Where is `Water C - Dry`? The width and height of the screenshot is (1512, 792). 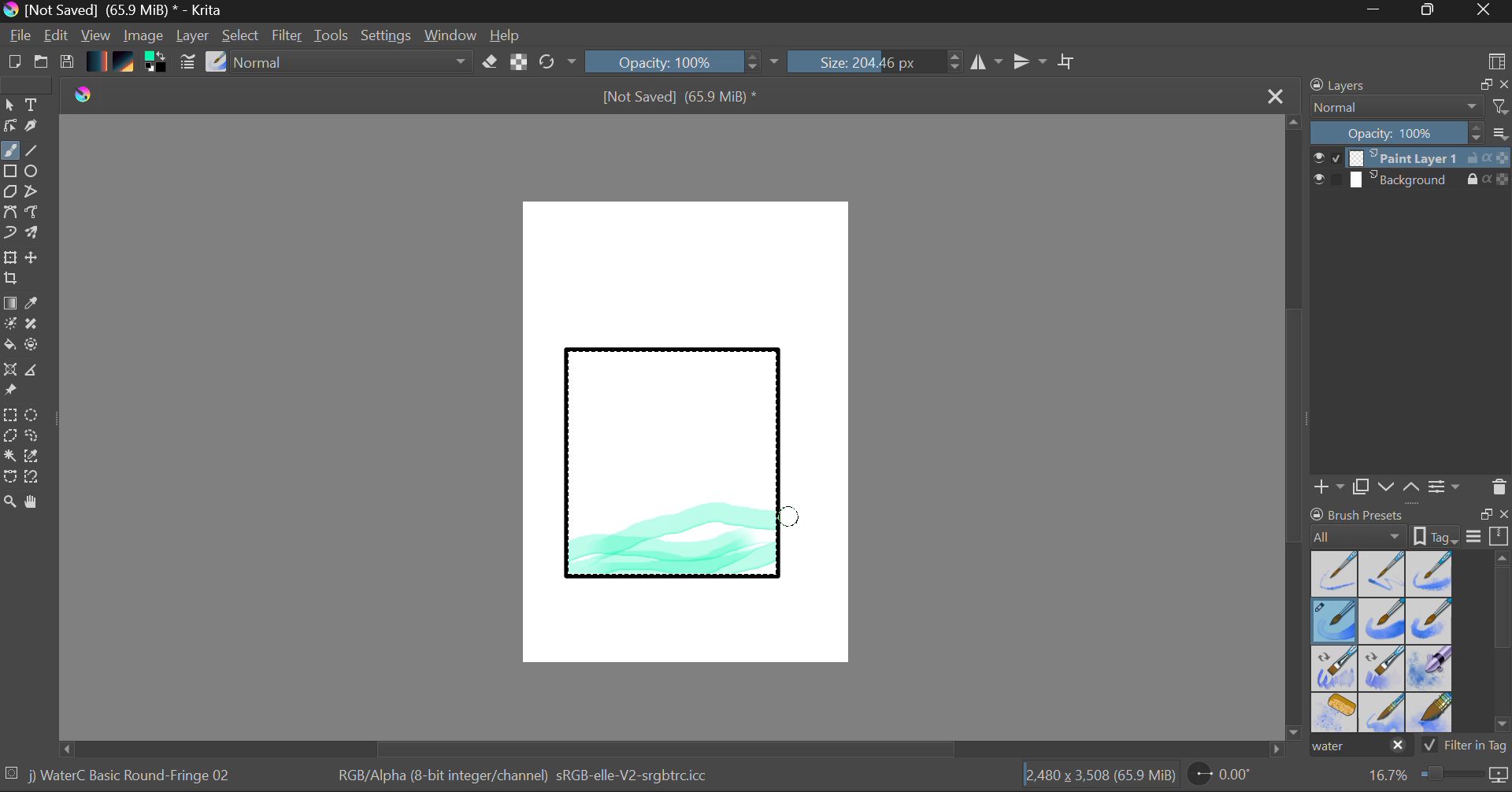
Water C - Dry is located at coordinates (1336, 572).